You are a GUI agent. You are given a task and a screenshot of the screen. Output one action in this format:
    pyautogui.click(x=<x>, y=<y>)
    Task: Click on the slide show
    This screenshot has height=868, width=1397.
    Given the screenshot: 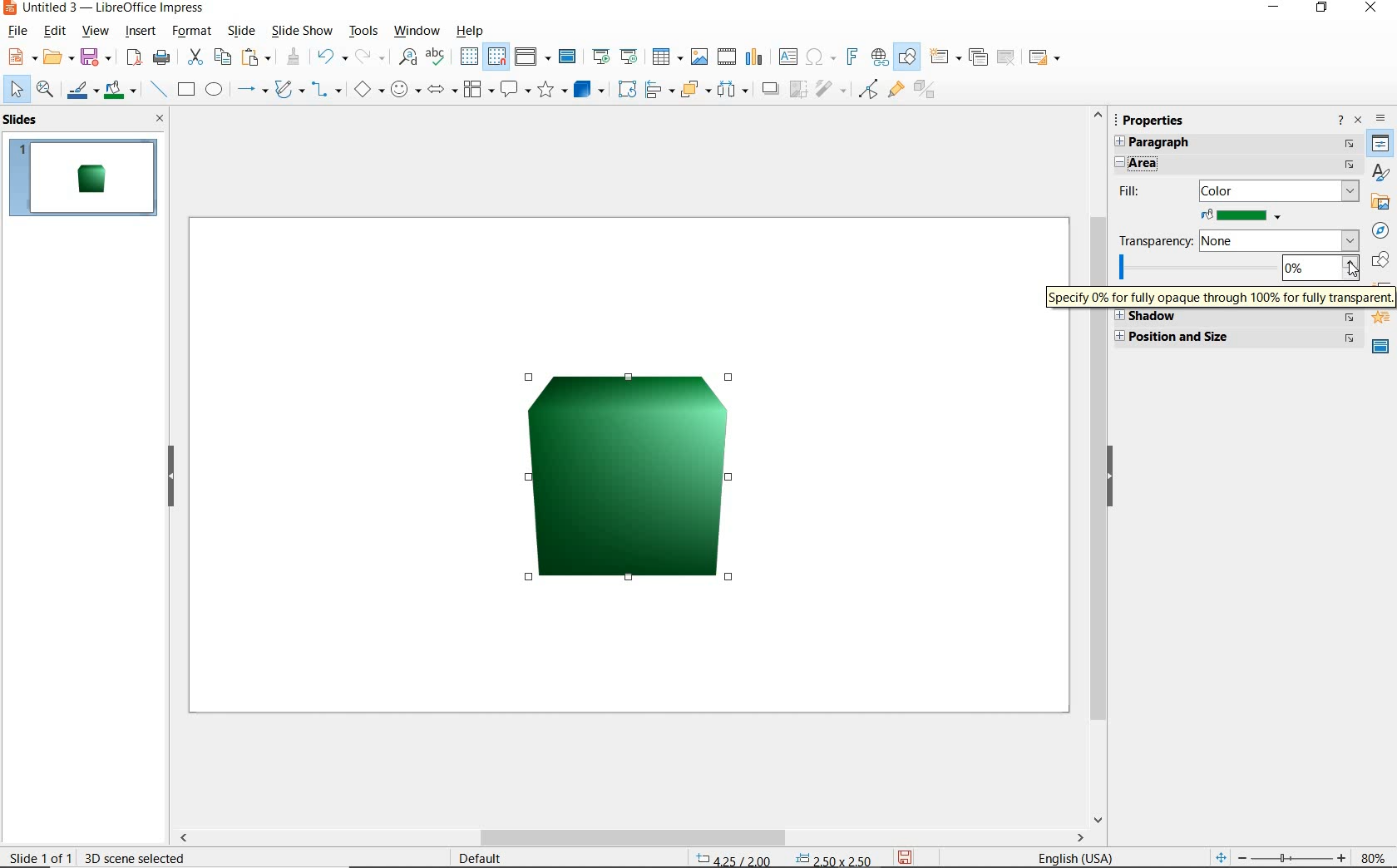 What is the action you would take?
    pyautogui.click(x=304, y=31)
    